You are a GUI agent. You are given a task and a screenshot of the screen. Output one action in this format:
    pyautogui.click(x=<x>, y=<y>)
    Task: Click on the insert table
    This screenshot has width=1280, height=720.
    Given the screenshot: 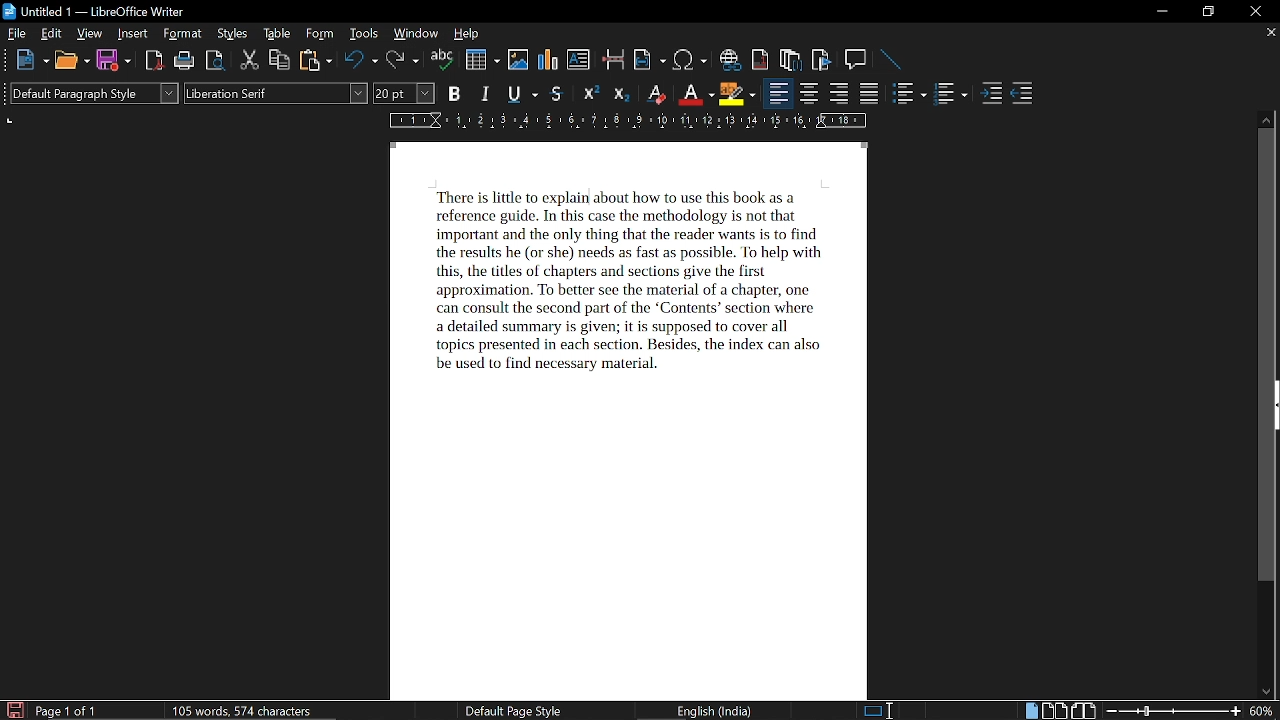 What is the action you would take?
    pyautogui.click(x=482, y=60)
    